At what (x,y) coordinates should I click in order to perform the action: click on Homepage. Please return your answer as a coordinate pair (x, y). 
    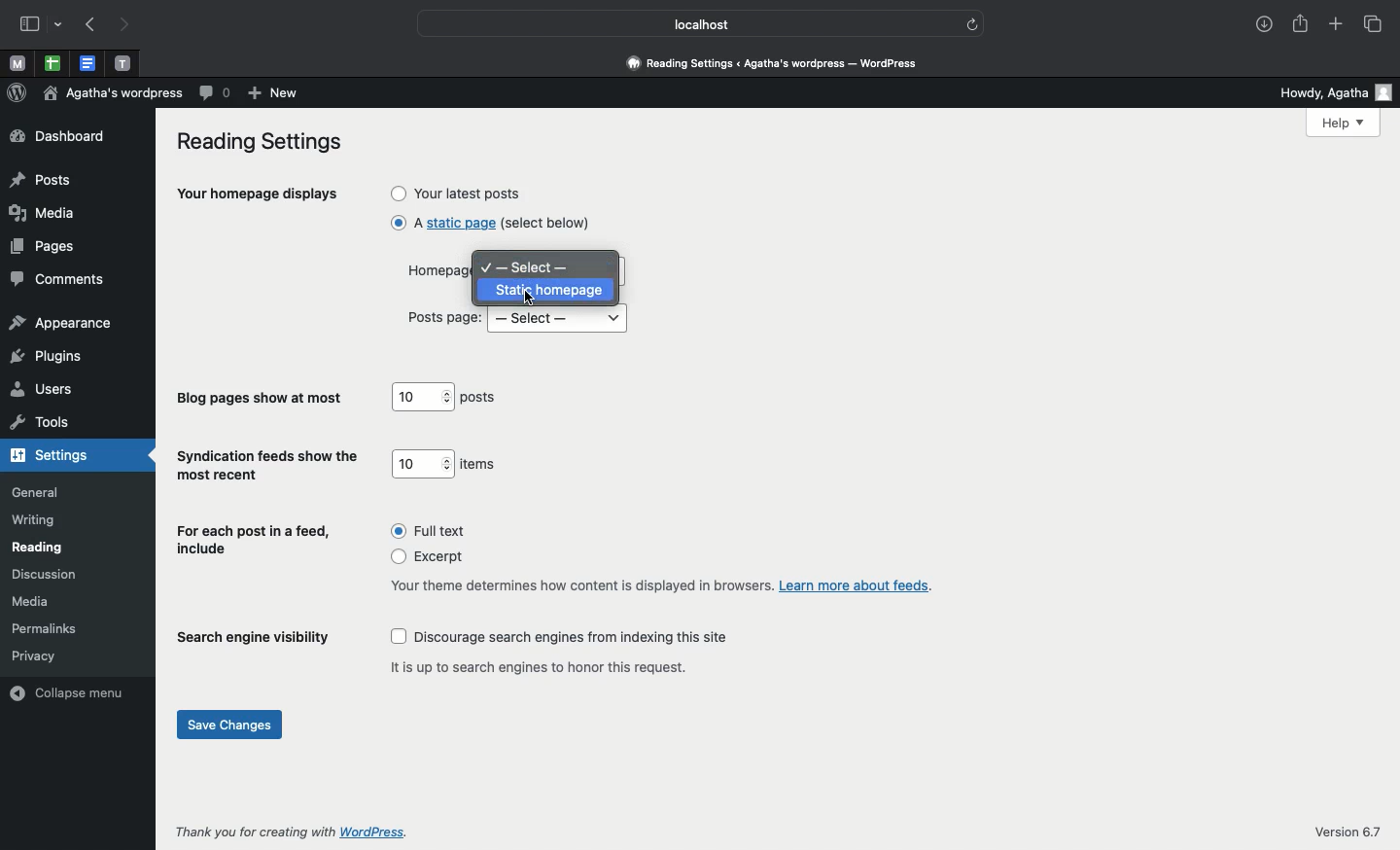
    Looking at the image, I should click on (436, 274).